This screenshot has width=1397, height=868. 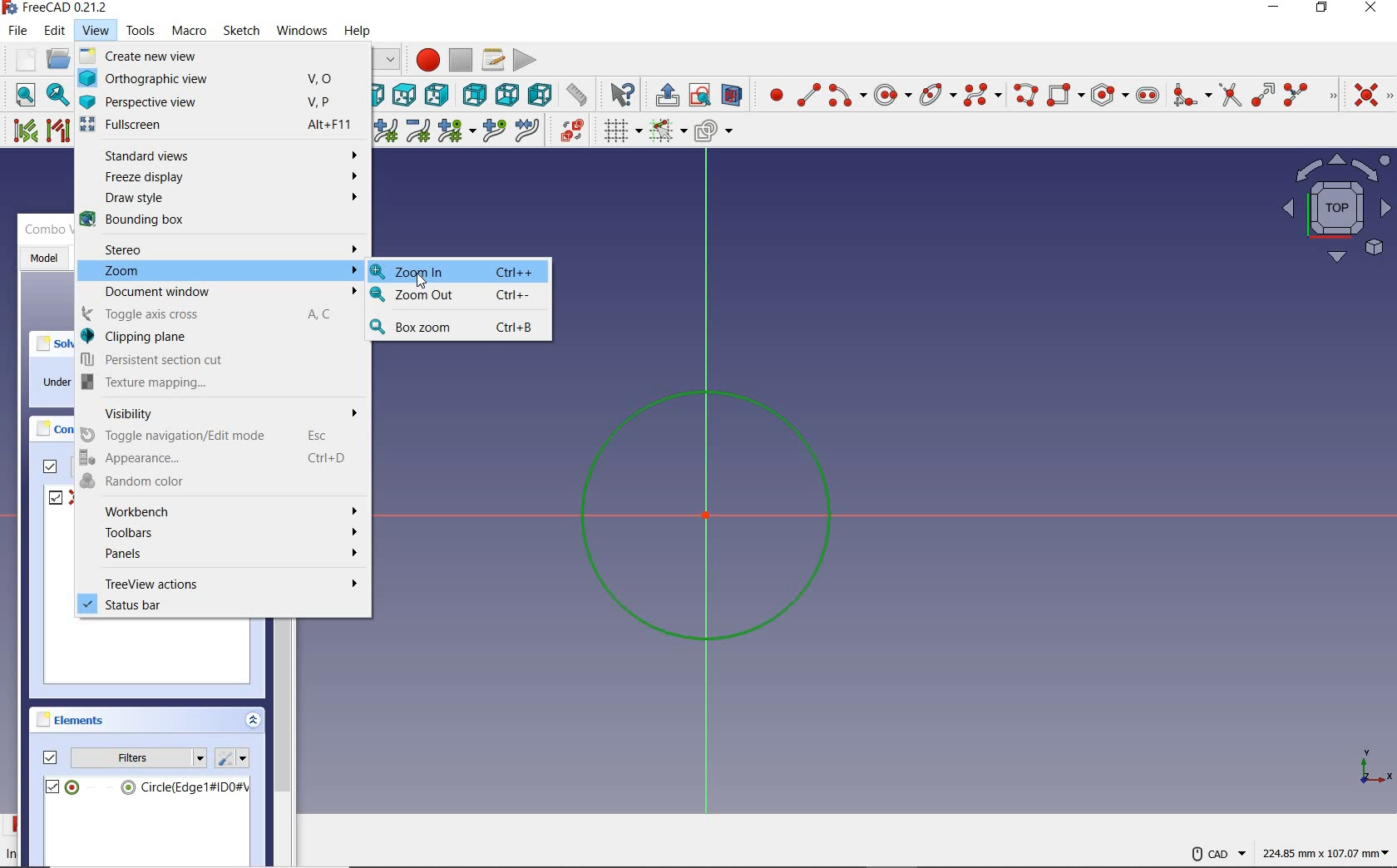 What do you see at coordinates (21, 58) in the screenshot?
I see `new` at bounding box center [21, 58].